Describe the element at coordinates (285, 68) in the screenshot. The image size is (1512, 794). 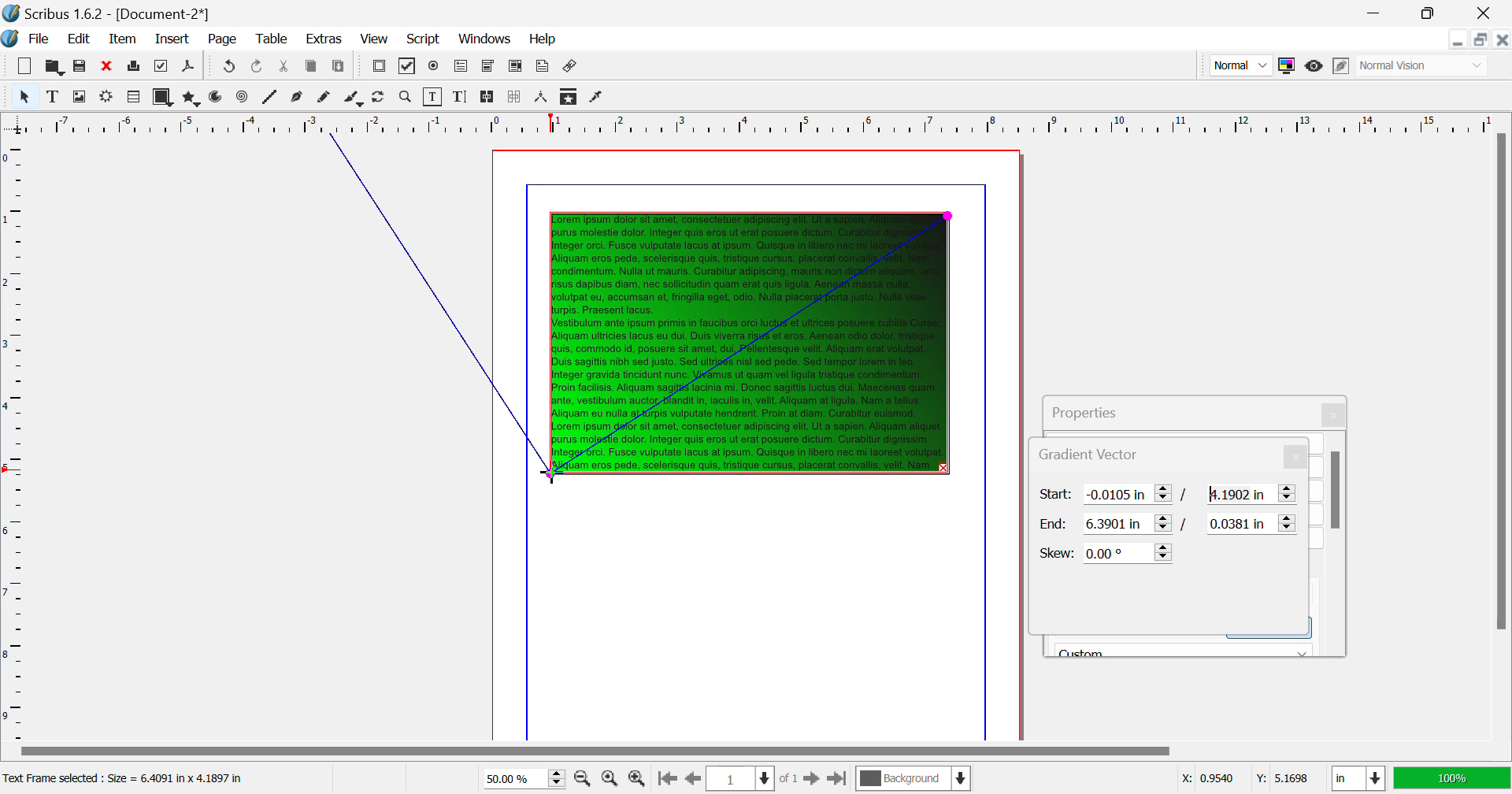
I see `Cut` at that location.